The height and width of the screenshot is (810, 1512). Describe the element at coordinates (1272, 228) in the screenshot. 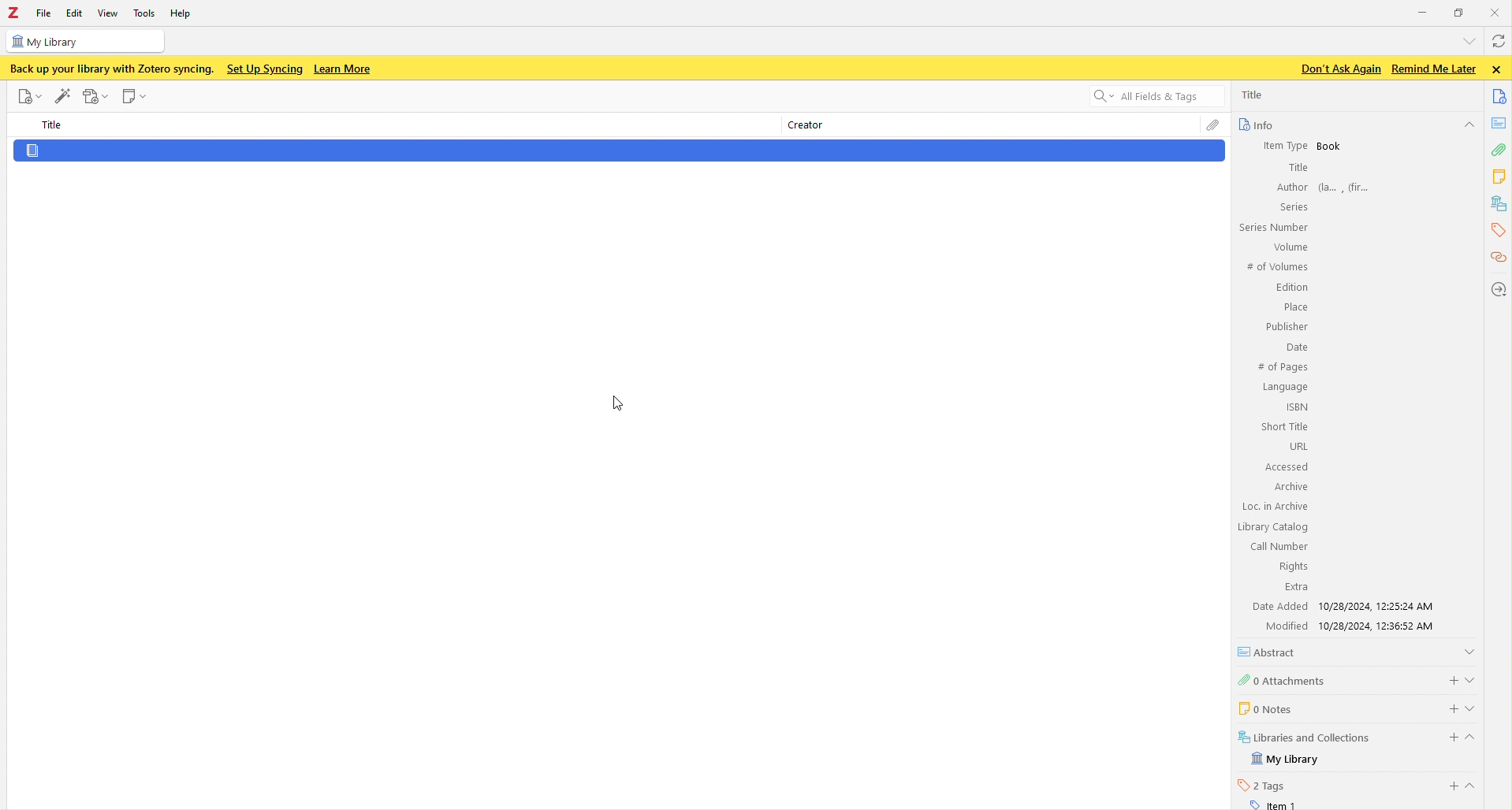

I see `Series Number` at that location.